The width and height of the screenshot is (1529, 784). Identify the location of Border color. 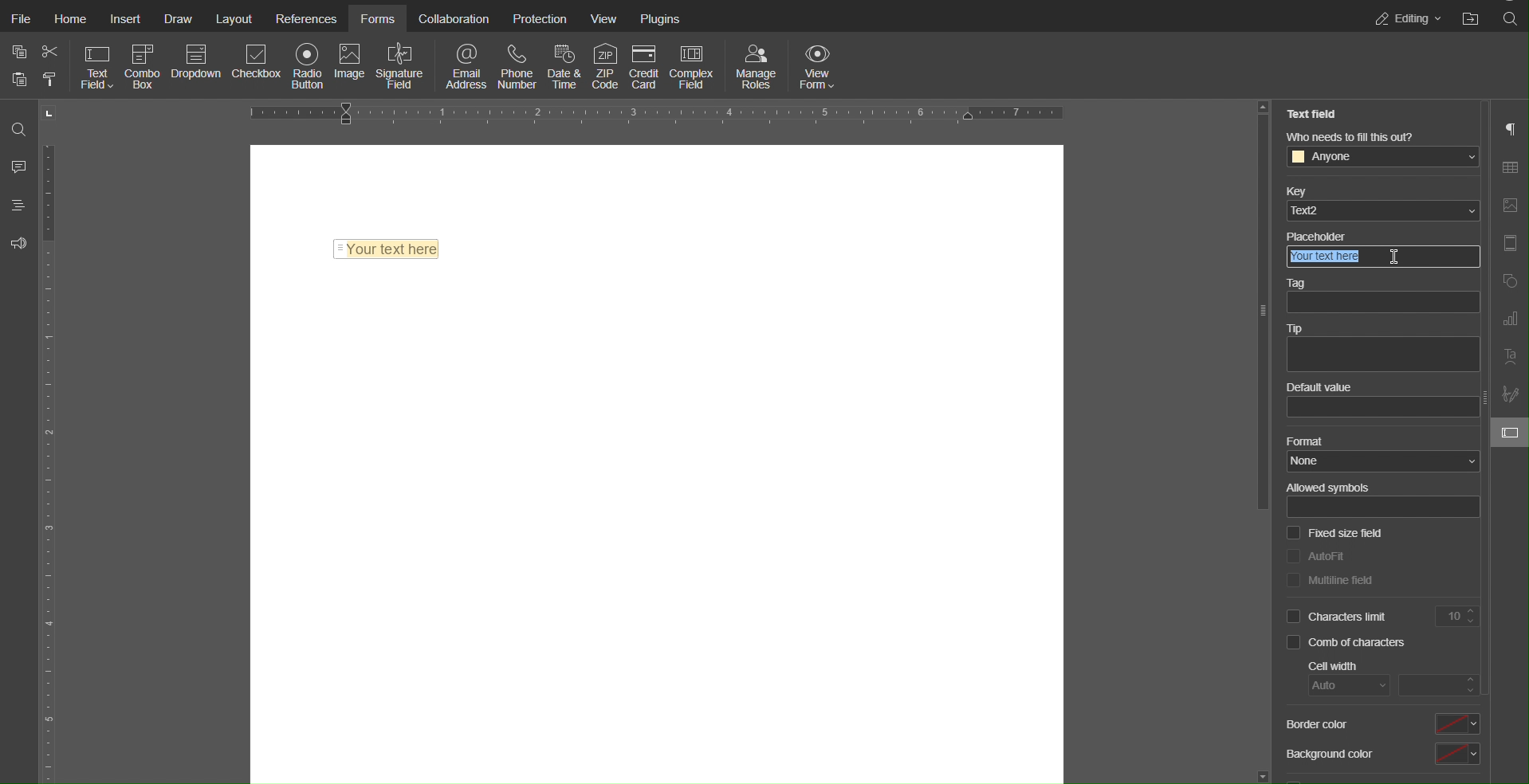
(1382, 724).